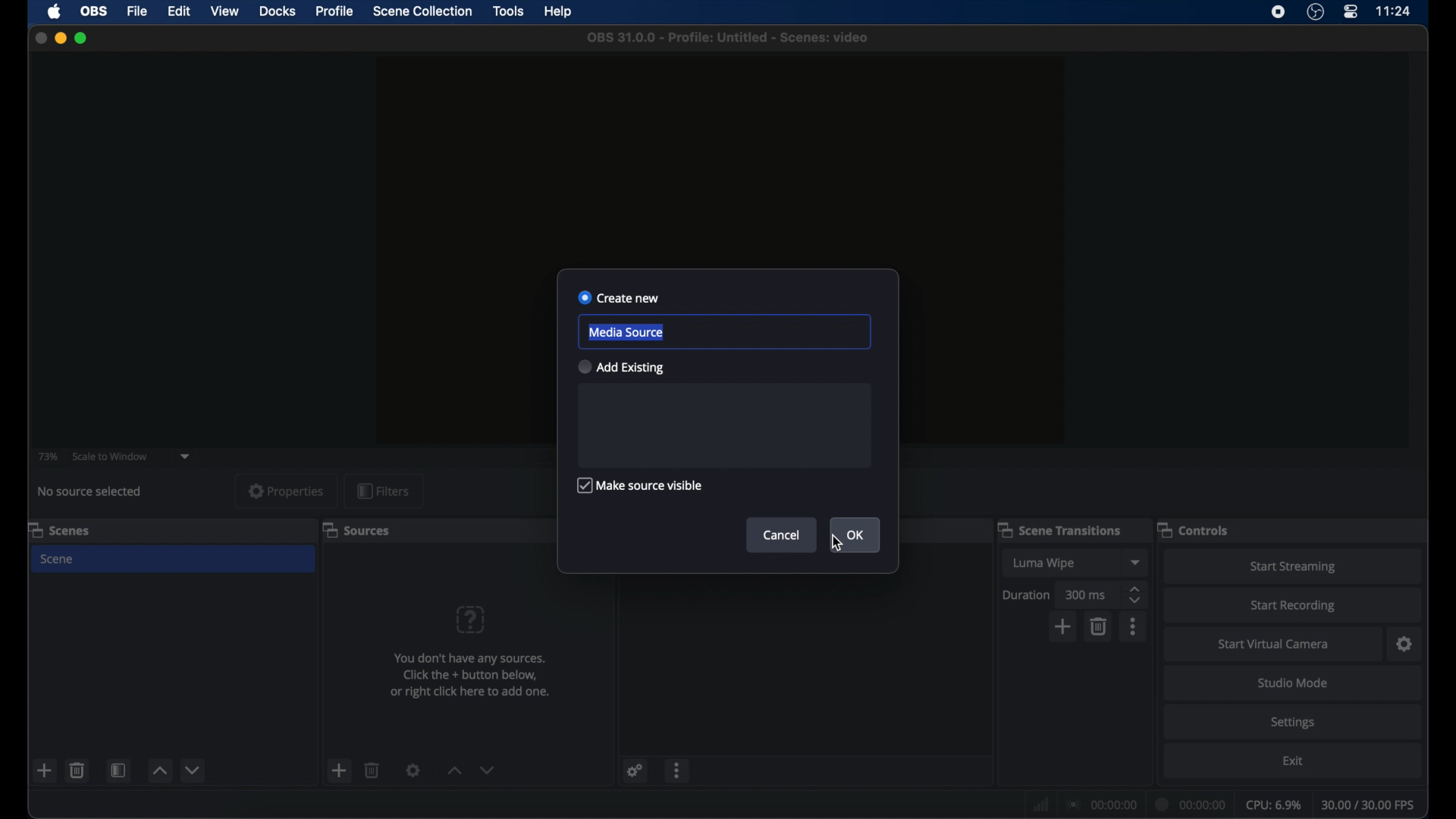 This screenshot has width=1456, height=819. I want to click on increment, so click(454, 771).